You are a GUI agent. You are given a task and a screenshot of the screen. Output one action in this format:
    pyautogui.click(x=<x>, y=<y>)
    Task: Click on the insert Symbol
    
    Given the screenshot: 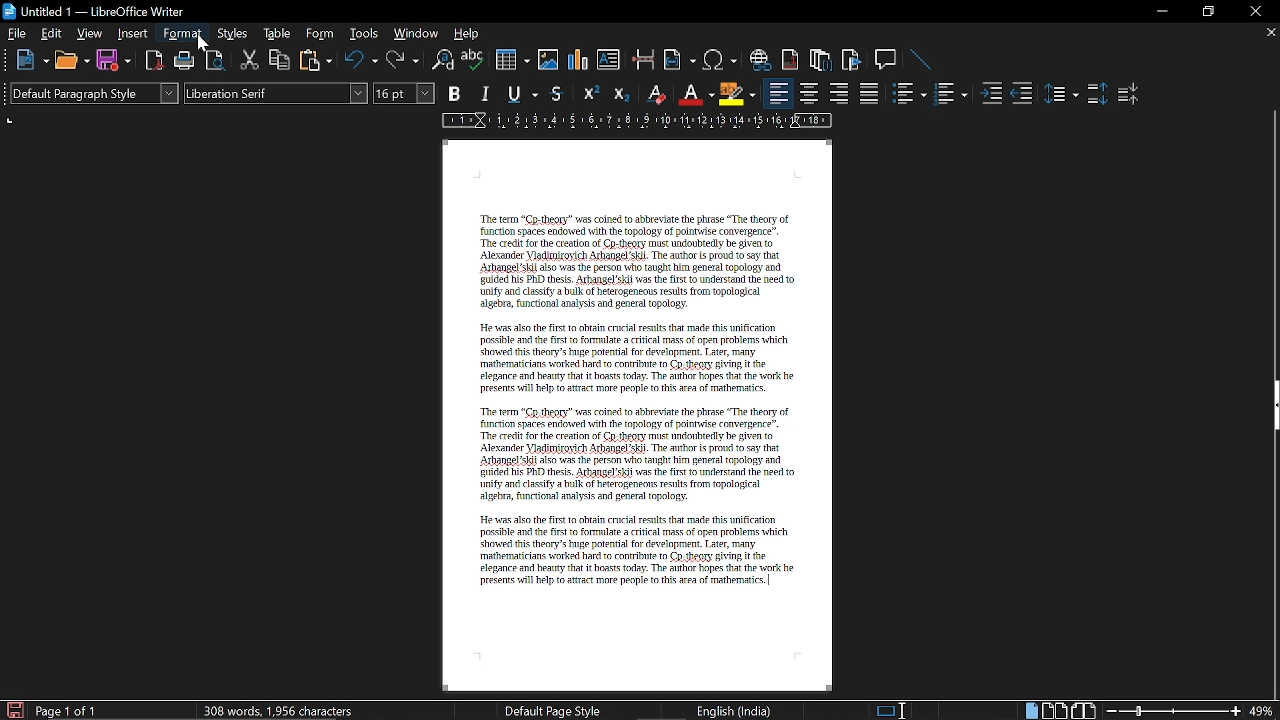 What is the action you would take?
    pyautogui.click(x=720, y=61)
    